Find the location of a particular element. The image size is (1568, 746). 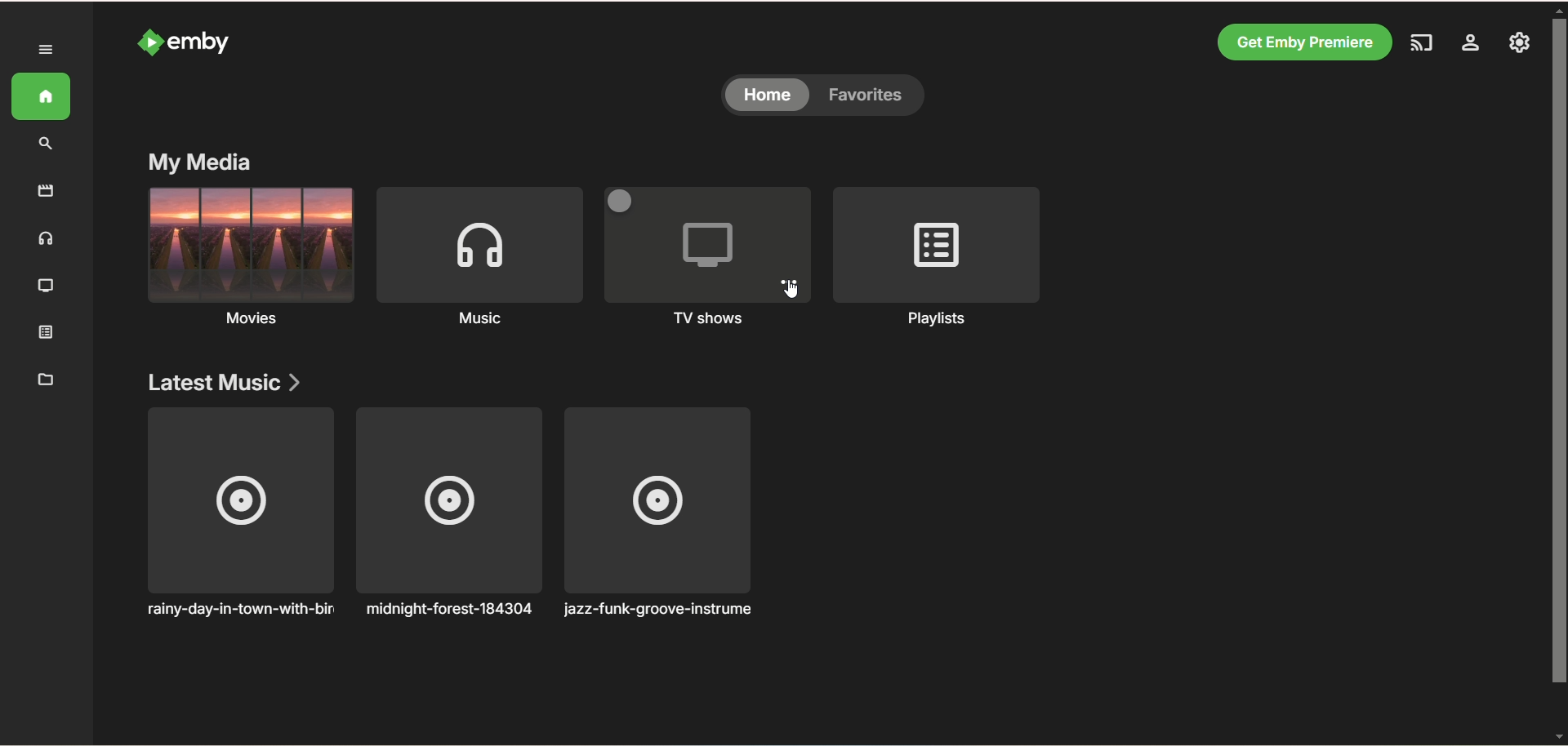

home is located at coordinates (42, 97).